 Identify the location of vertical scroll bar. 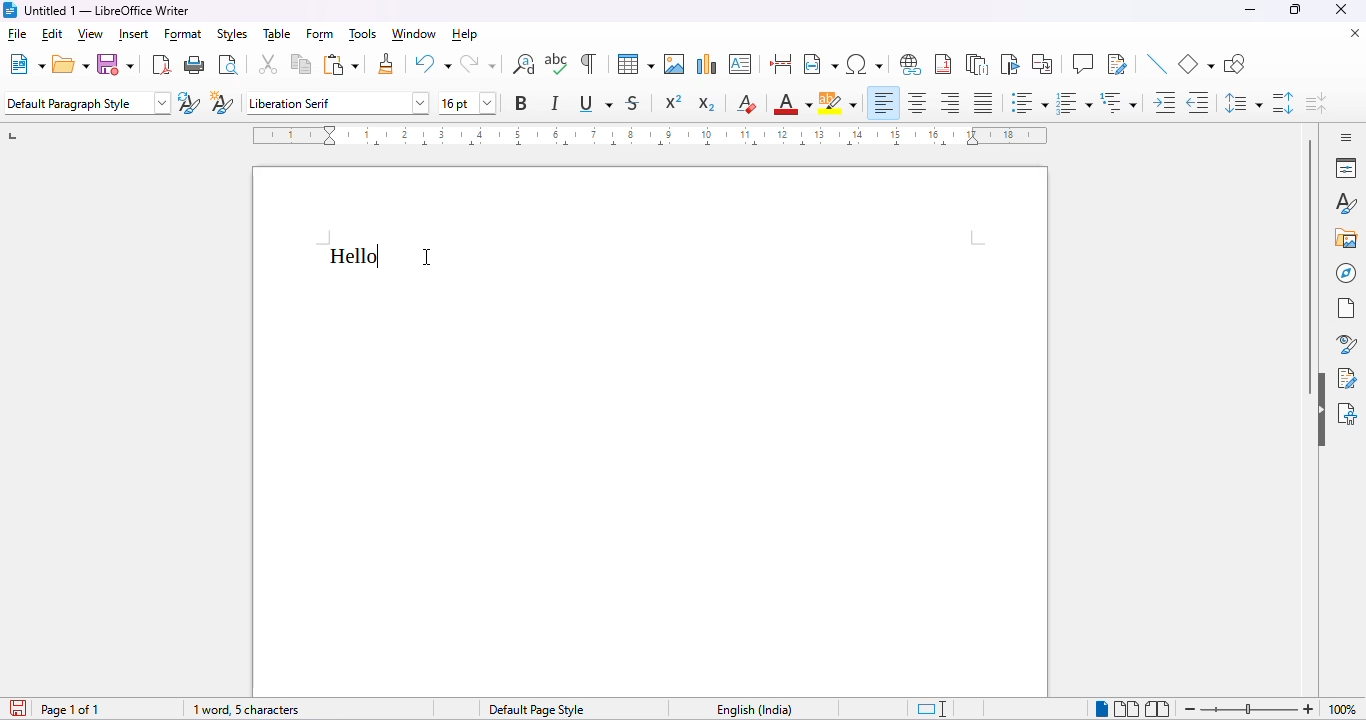
(1311, 267).